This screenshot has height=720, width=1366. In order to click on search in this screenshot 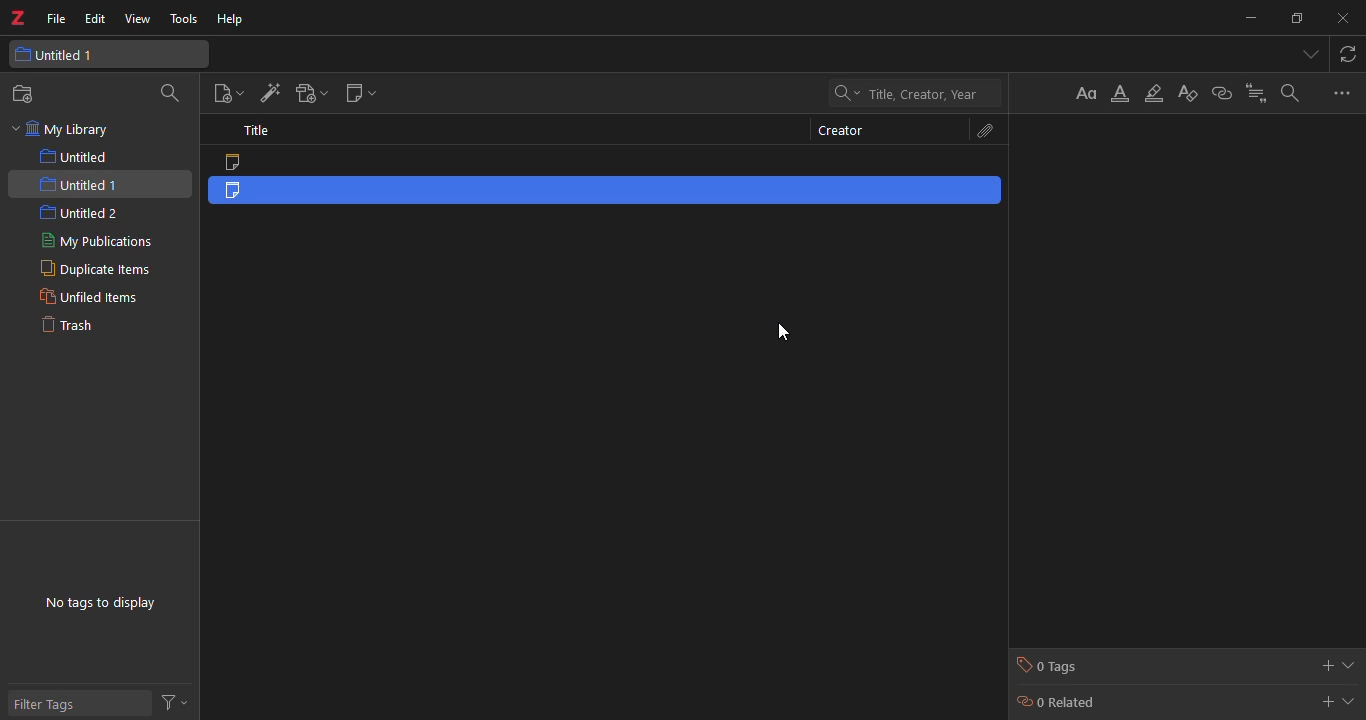, I will do `click(170, 95)`.